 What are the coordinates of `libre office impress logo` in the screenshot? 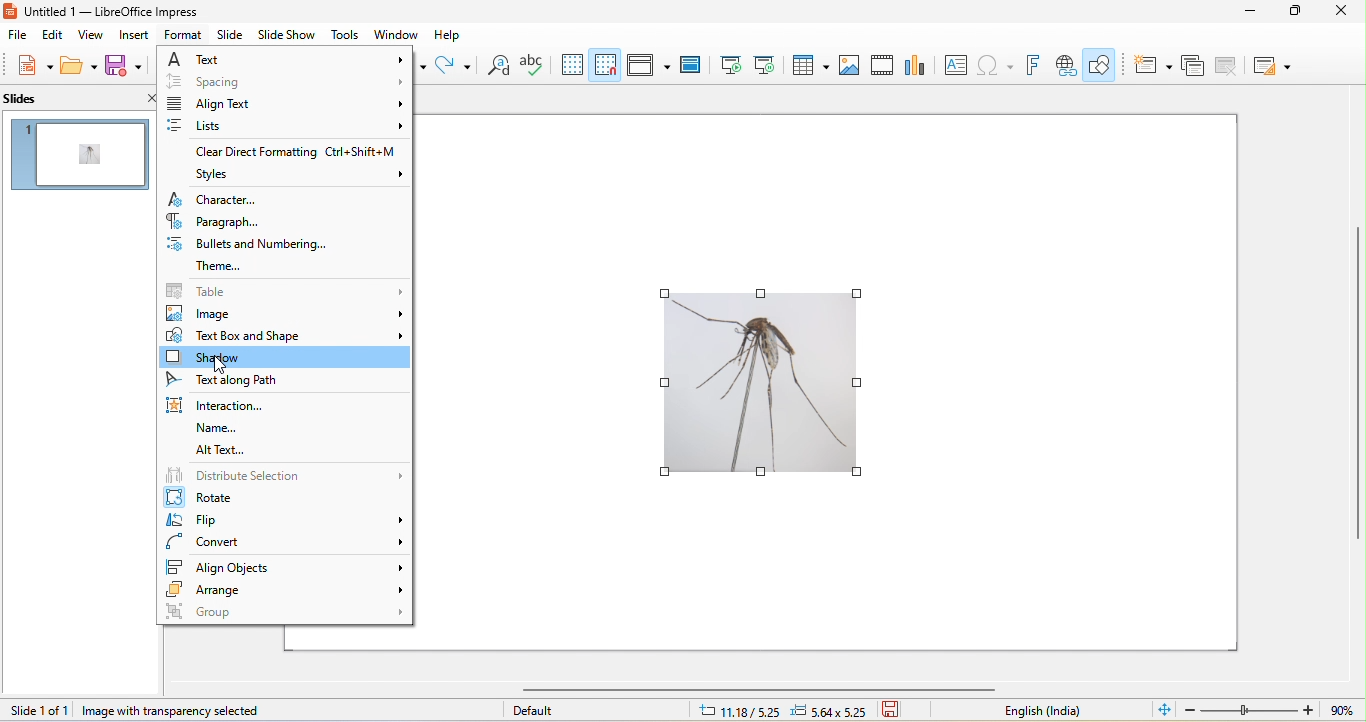 It's located at (9, 11).